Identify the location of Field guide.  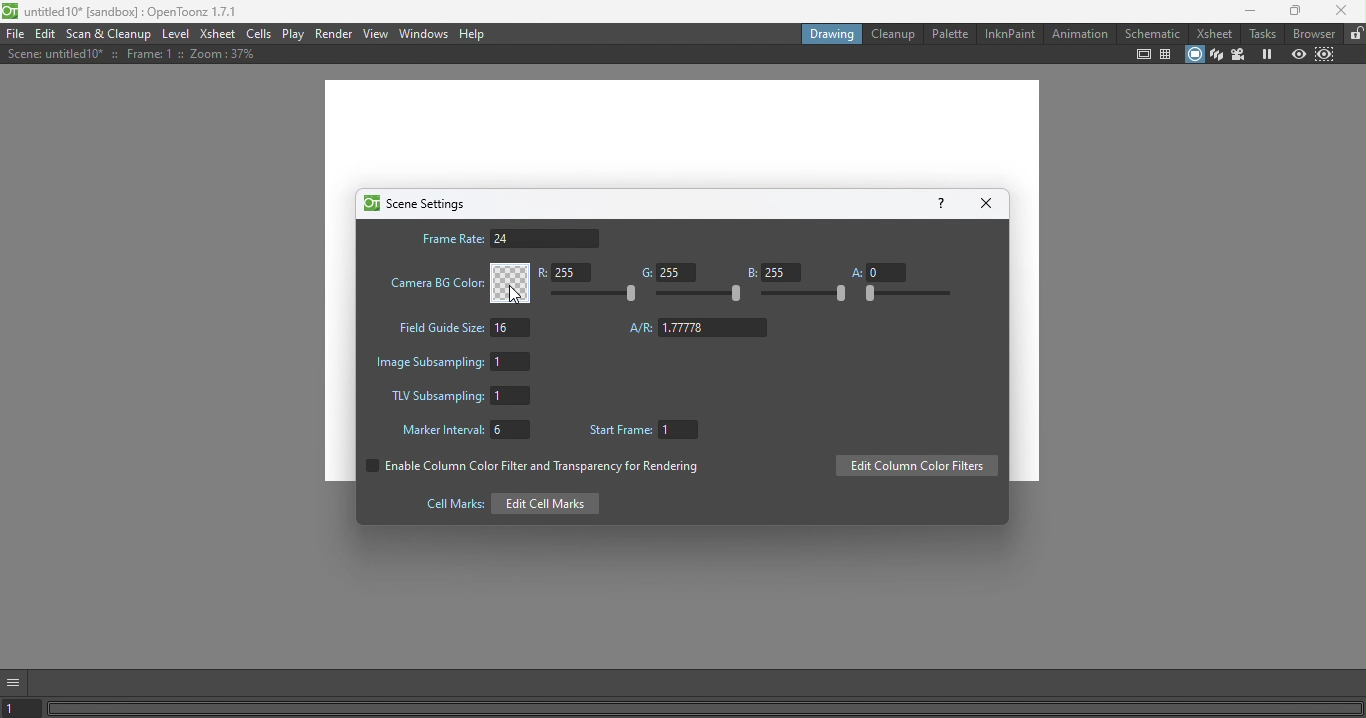
(1168, 55).